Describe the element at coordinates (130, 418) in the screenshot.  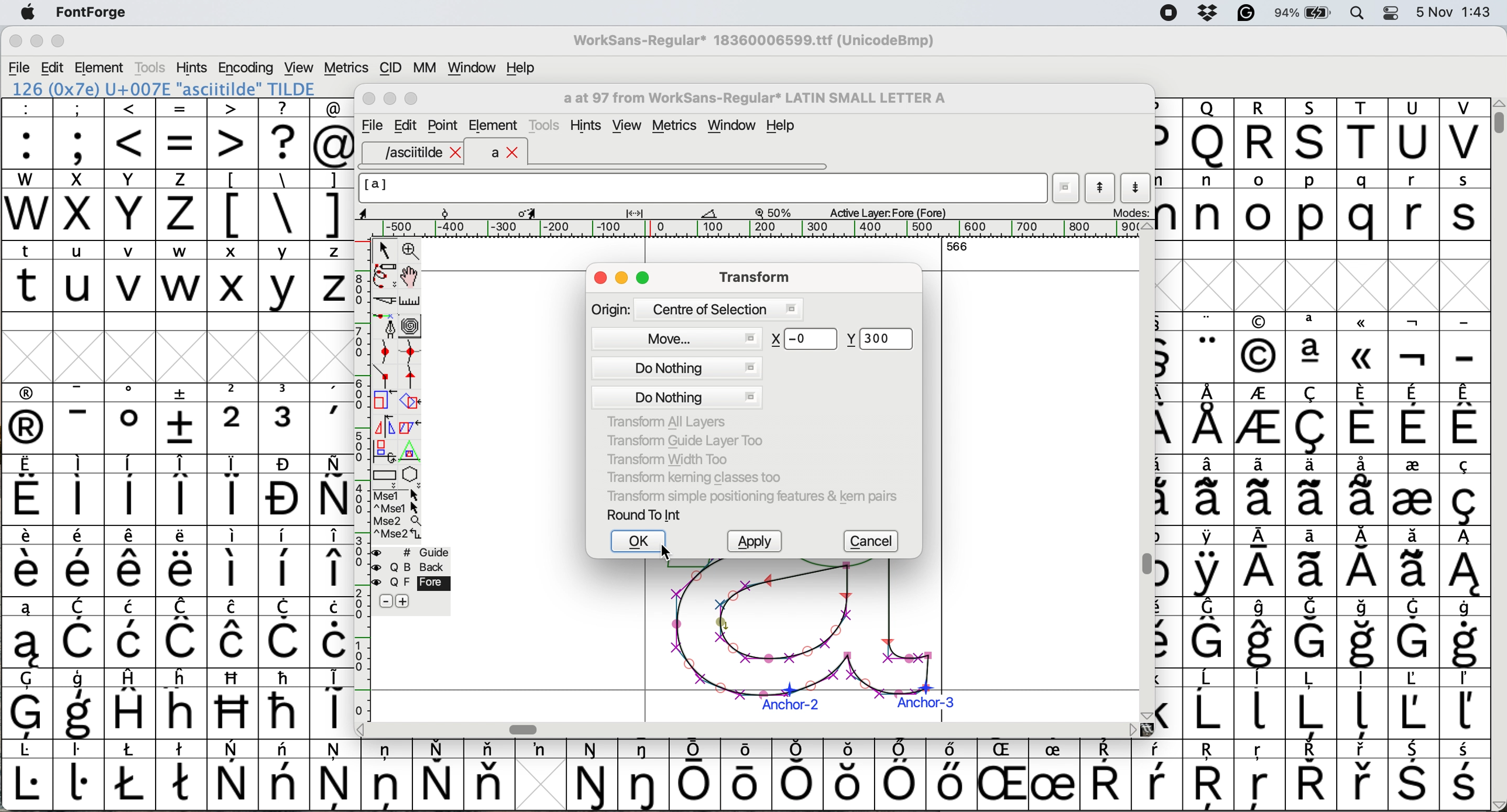
I see `symbol` at that location.